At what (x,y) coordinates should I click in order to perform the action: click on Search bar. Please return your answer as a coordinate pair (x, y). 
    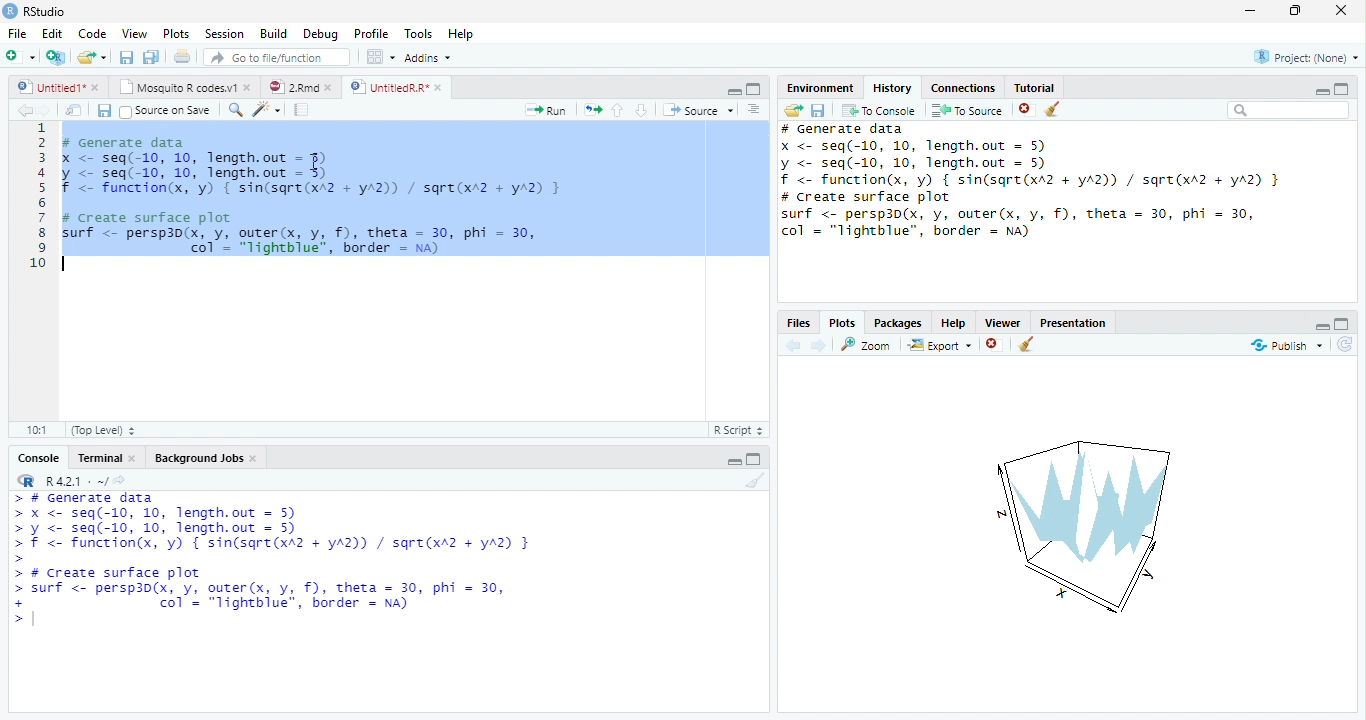
    Looking at the image, I should click on (1288, 110).